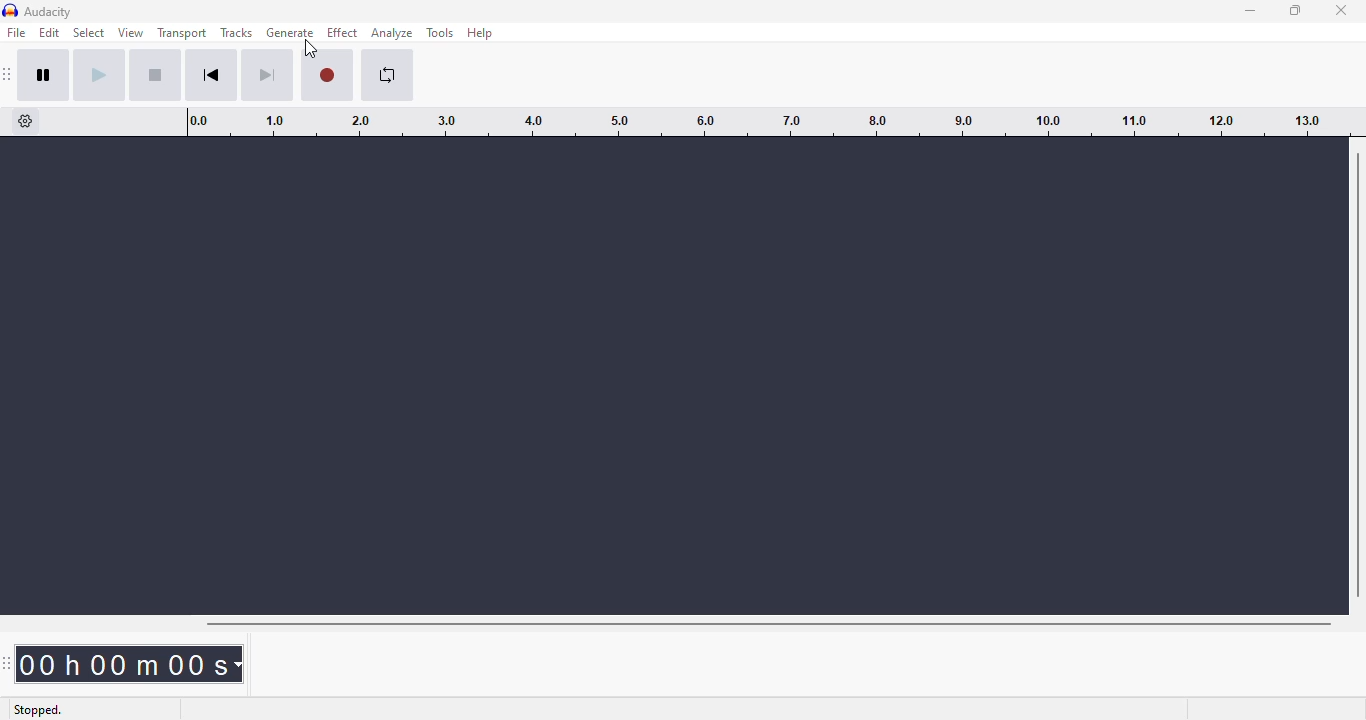 This screenshot has height=720, width=1366. Describe the element at coordinates (44, 75) in the screenshot. I see `pause` at that location.